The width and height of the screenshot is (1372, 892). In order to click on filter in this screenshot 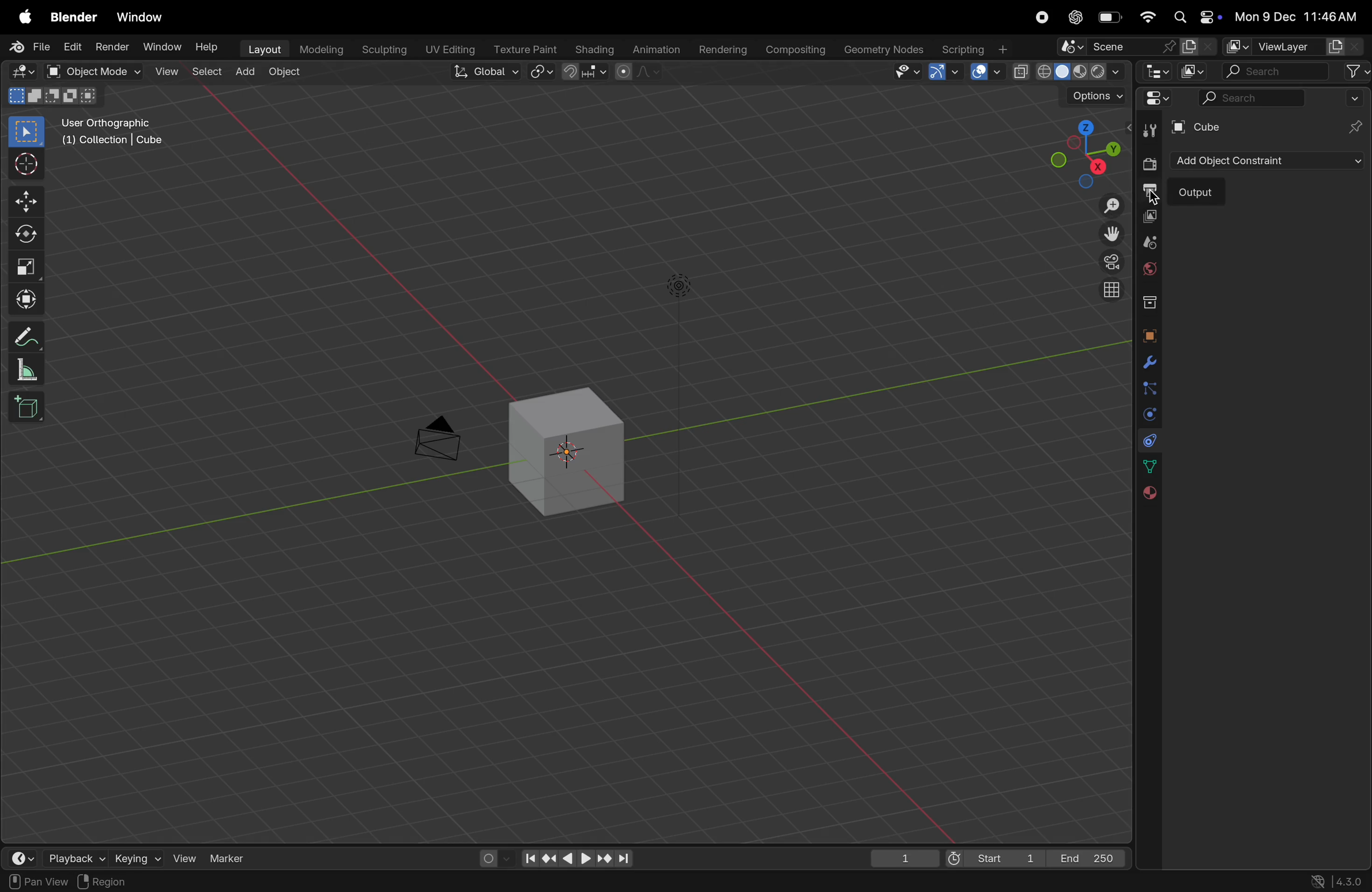, I will do `click(1358, 72)`.